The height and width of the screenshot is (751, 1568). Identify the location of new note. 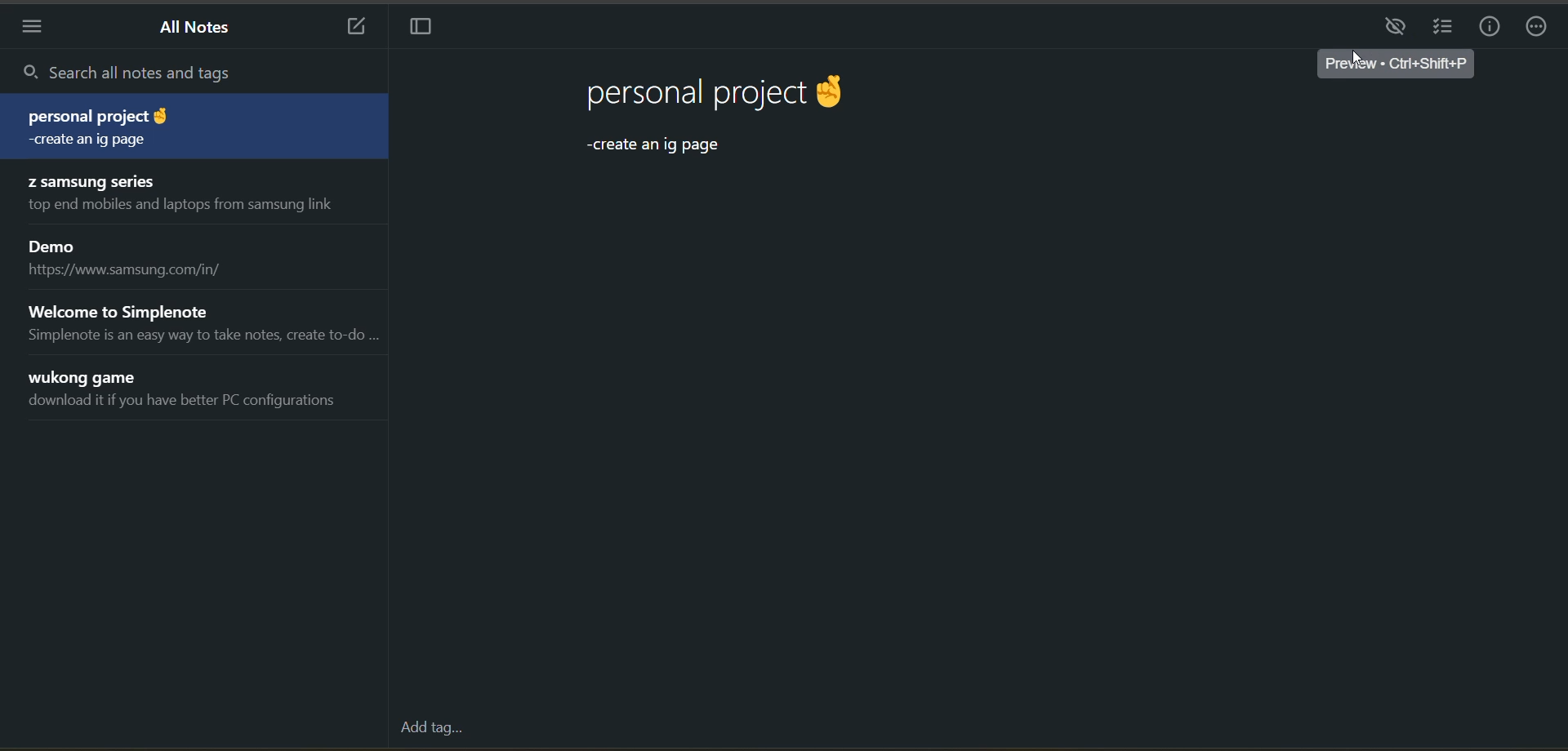
(358, 28).